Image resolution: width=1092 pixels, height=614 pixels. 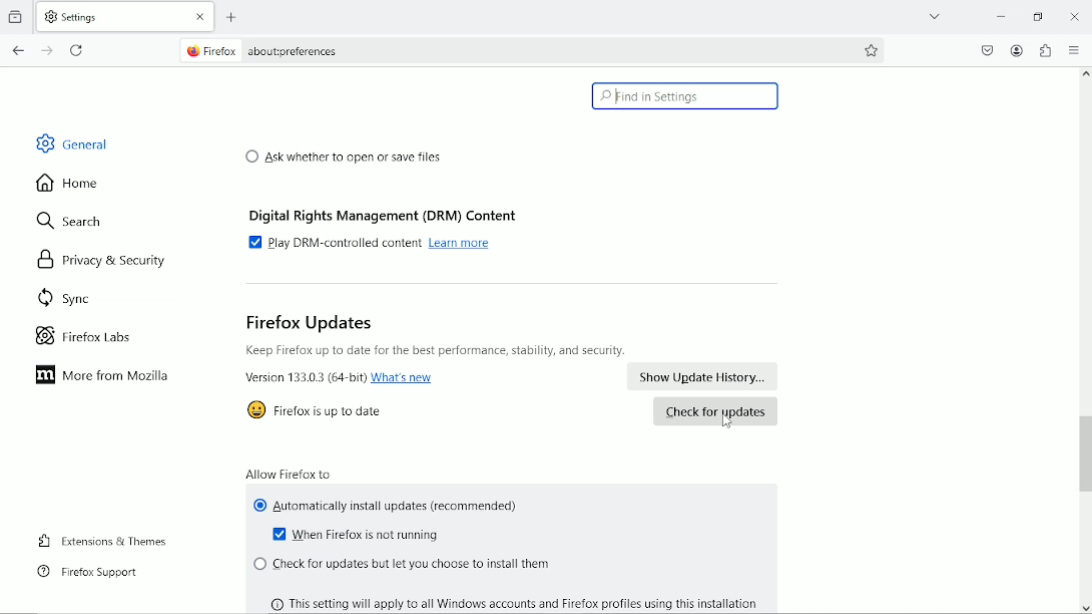 I want to click on extensions, so click(x=1044, y=50).